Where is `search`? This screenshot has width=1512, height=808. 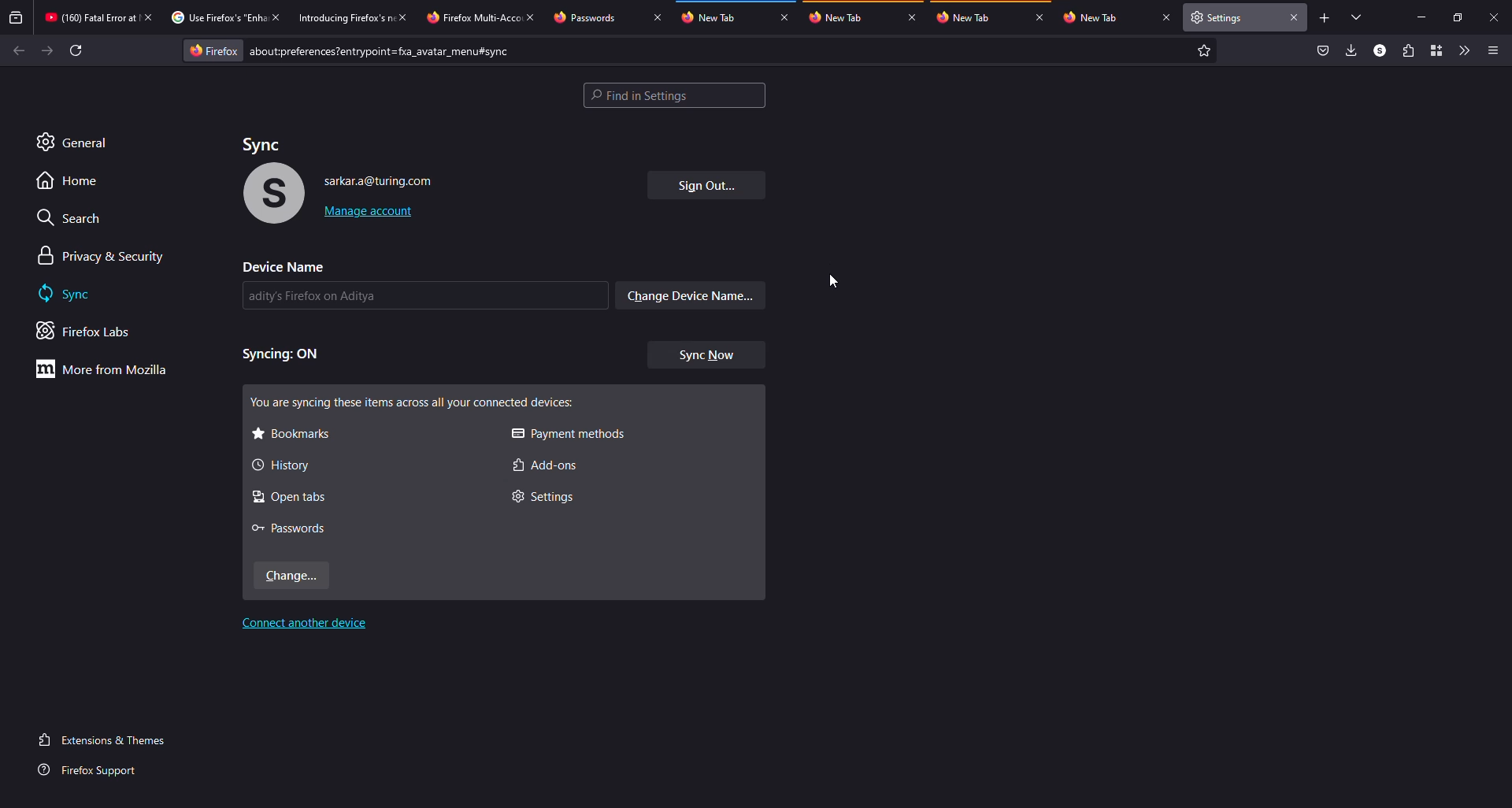
search is located at coordinates (71, 217).